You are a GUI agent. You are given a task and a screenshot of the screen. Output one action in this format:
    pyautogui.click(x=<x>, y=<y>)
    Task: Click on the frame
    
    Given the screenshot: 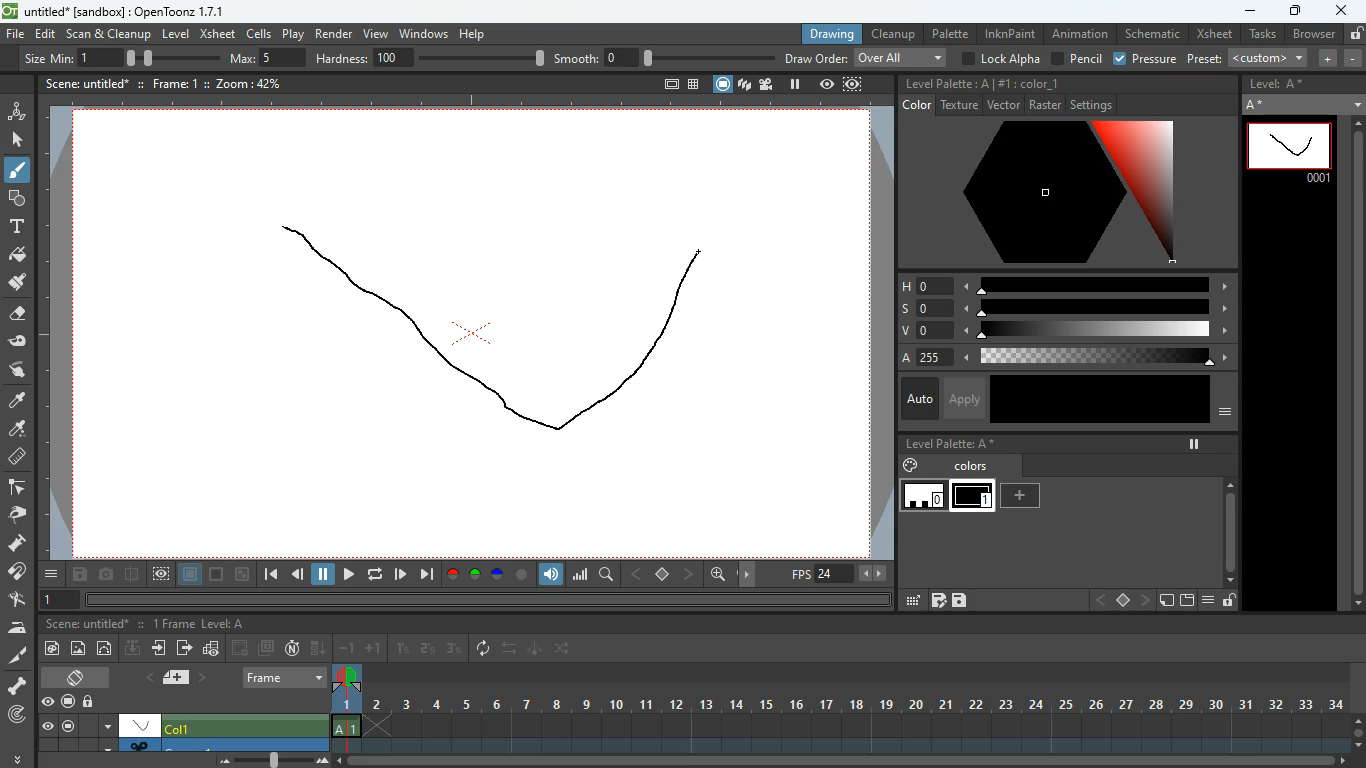 What is the action you would take?
    pyautogui.click(x=166, y=82)
    